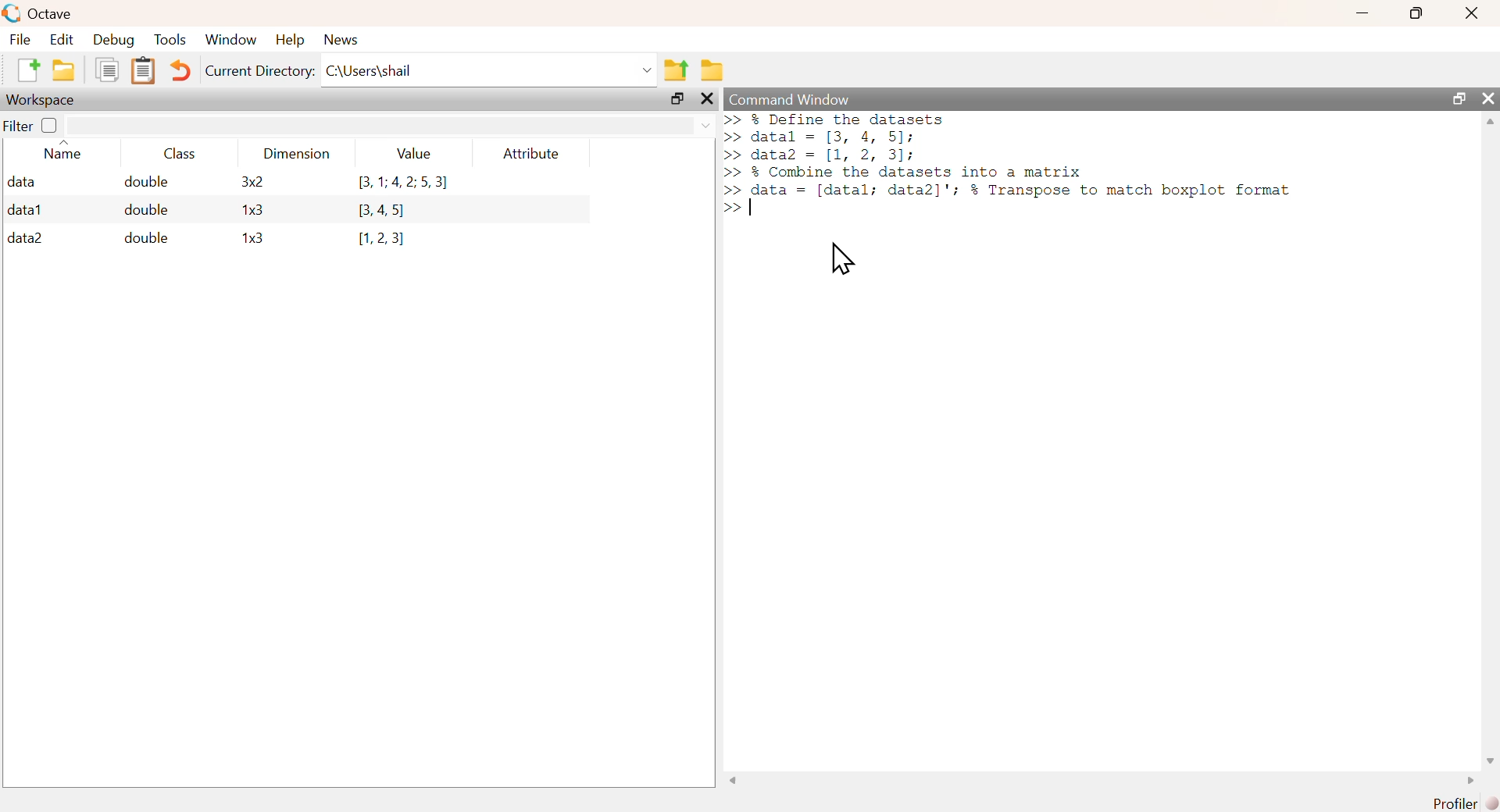 This screenshot has width=1500, height=812. I want to click on New File, so click(27, 69).